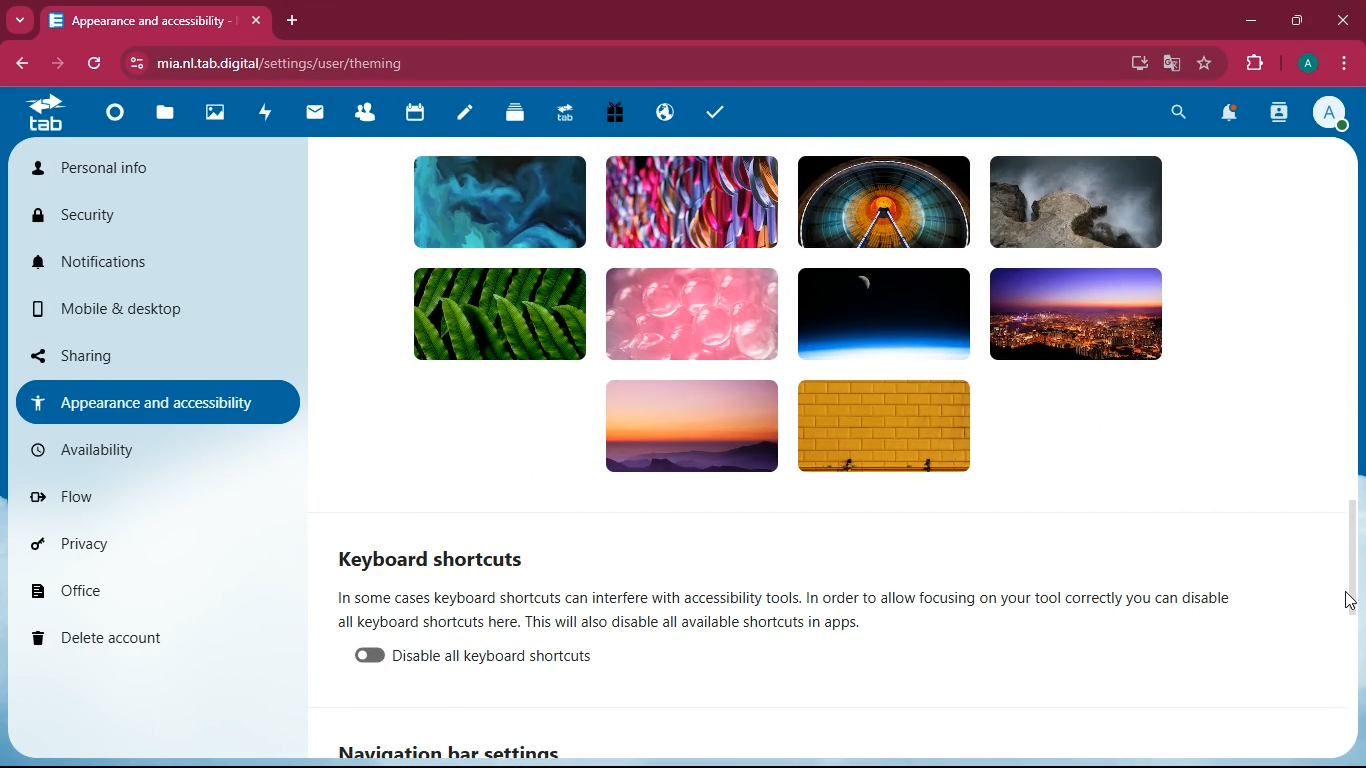 The height and width of the screenshot is (768, 1366). What do you see at coordinates (1228, 114) in the screenshot?
I see `notifications` at bounding box center [1228, 114].